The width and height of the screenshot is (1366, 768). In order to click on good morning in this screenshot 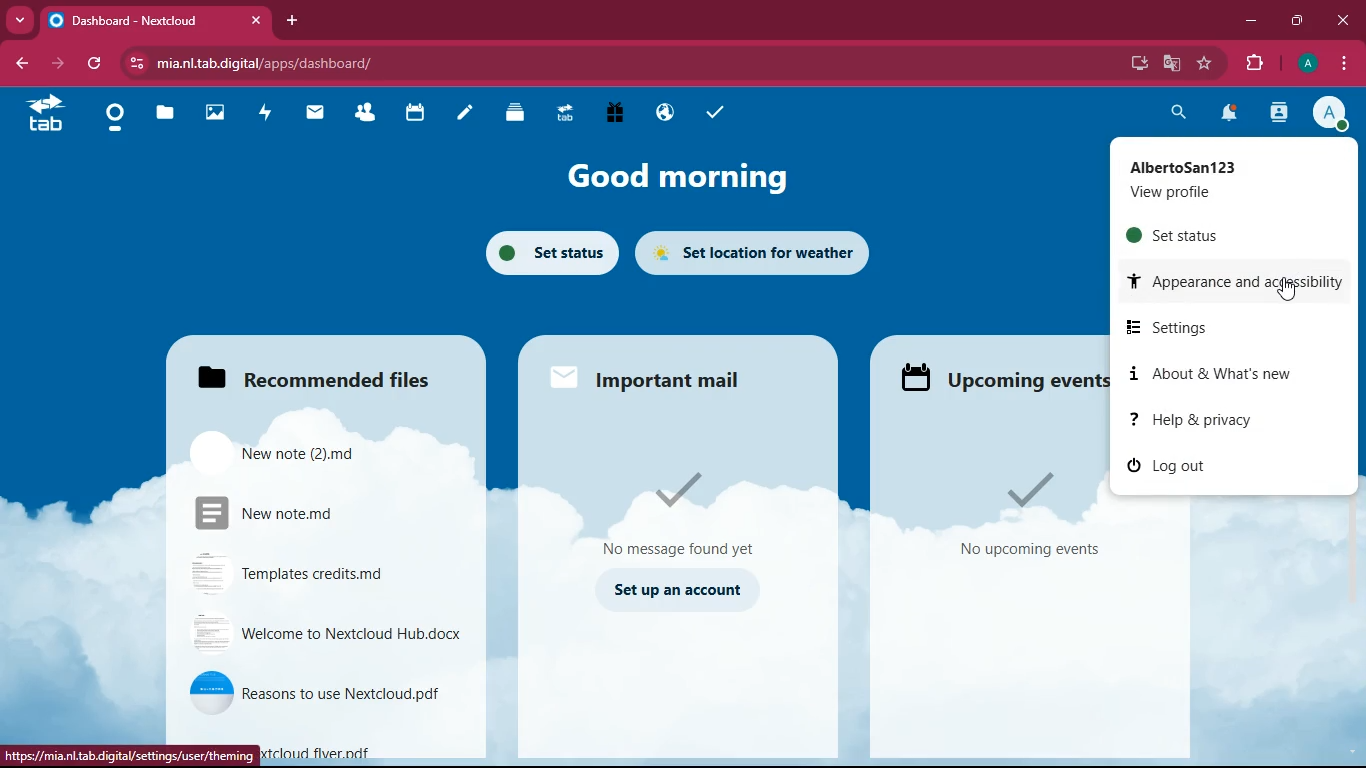, I will do `click(671, 179)`.